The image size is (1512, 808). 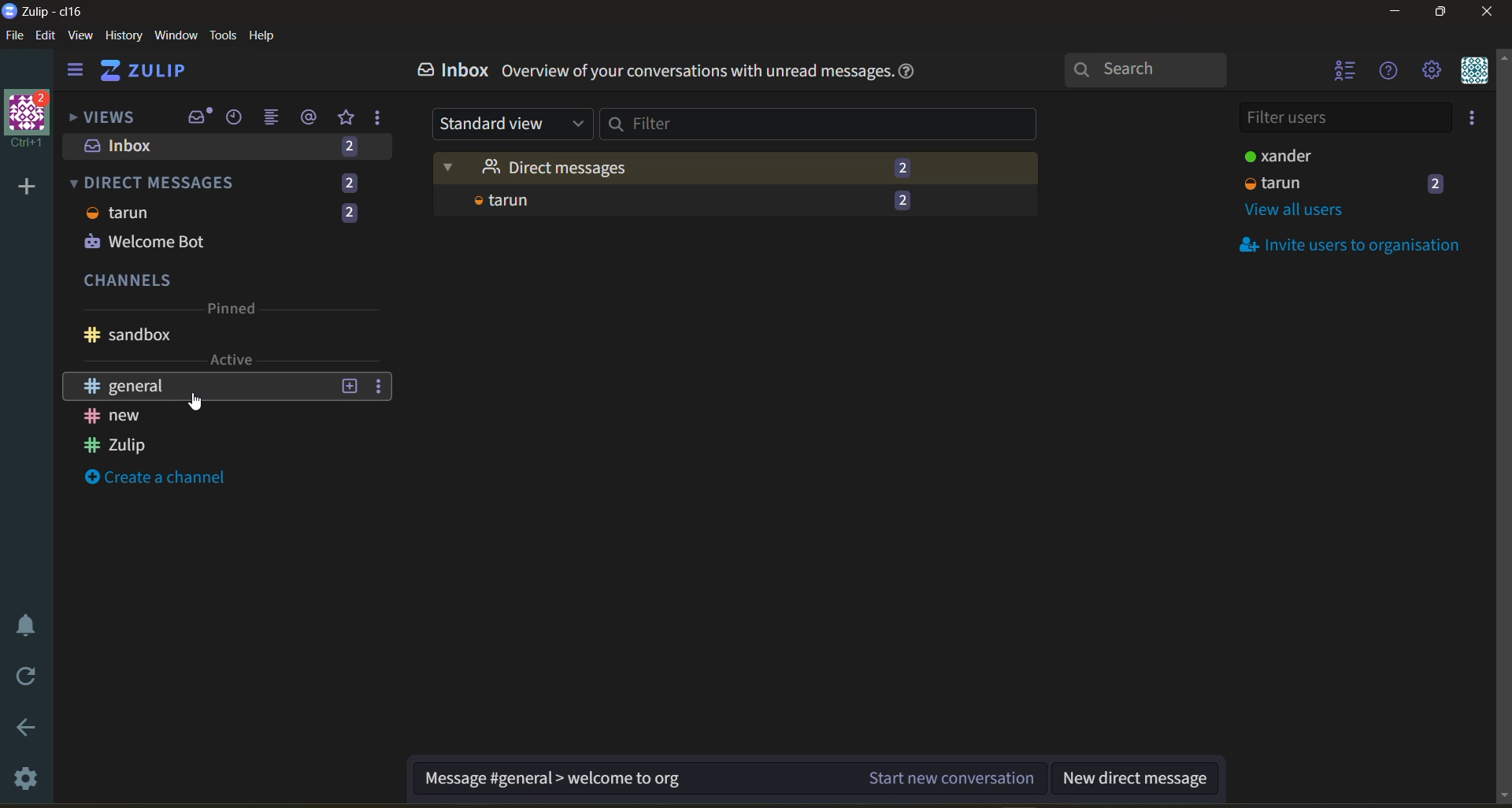 What do you see at coordinates (1390, 72) in the screenshot?
I see `help menu` at bounding box center [1390, 72].